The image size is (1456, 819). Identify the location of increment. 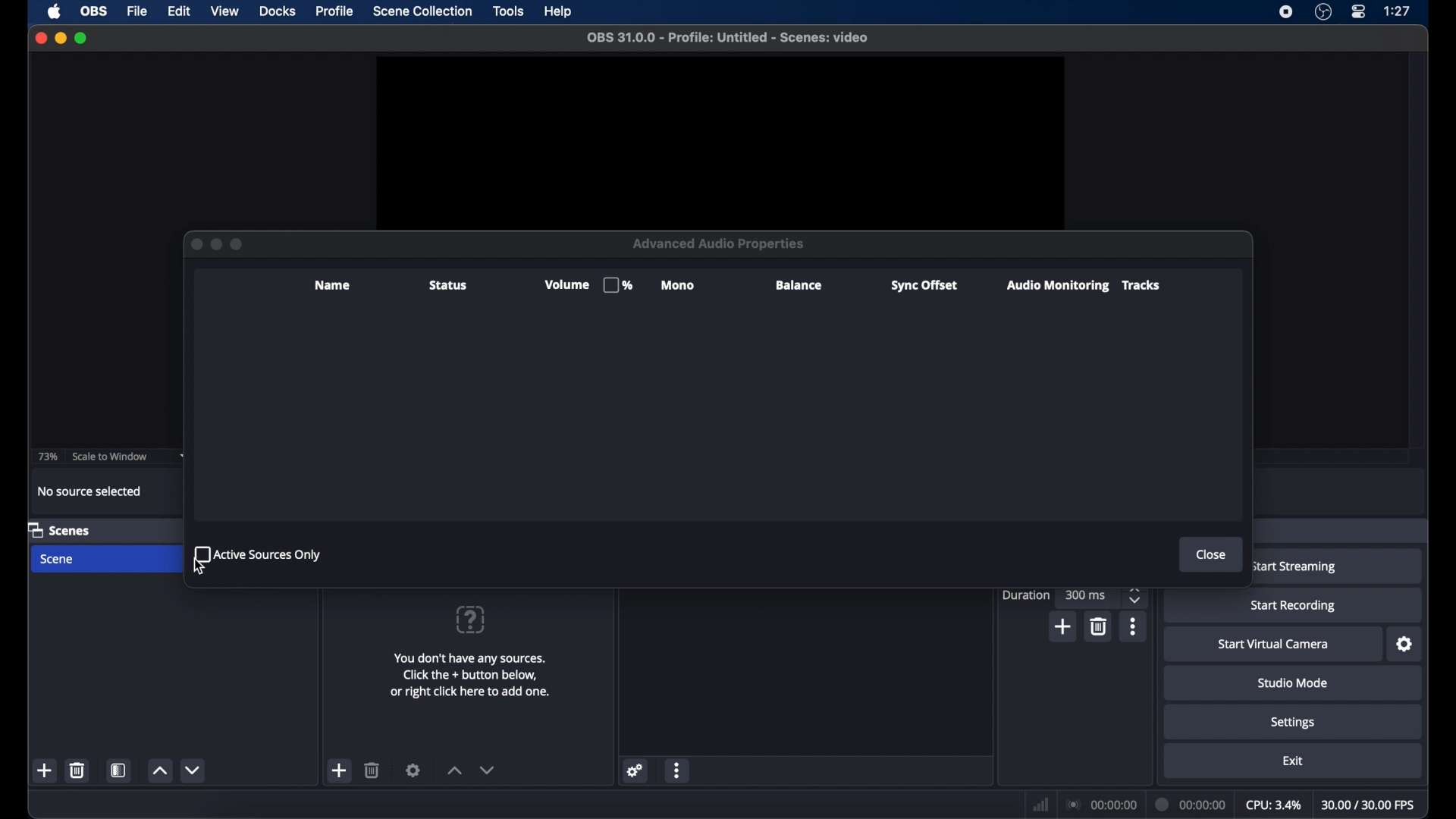
(160, 770).